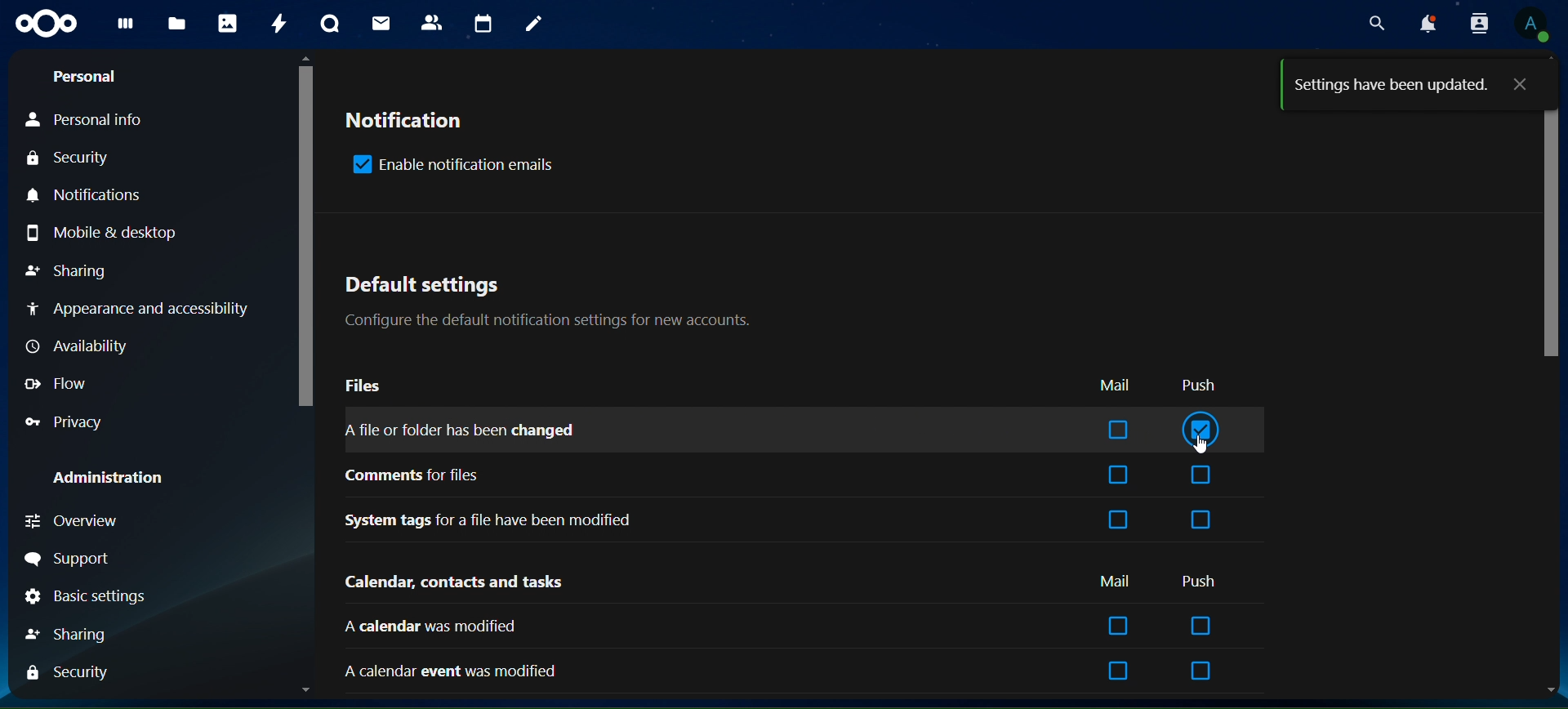 The height and width of the screenshot is (709, 1568). Describe the element at coordinates (415, 476) in the screenshot. I see `comments for files` at that location.